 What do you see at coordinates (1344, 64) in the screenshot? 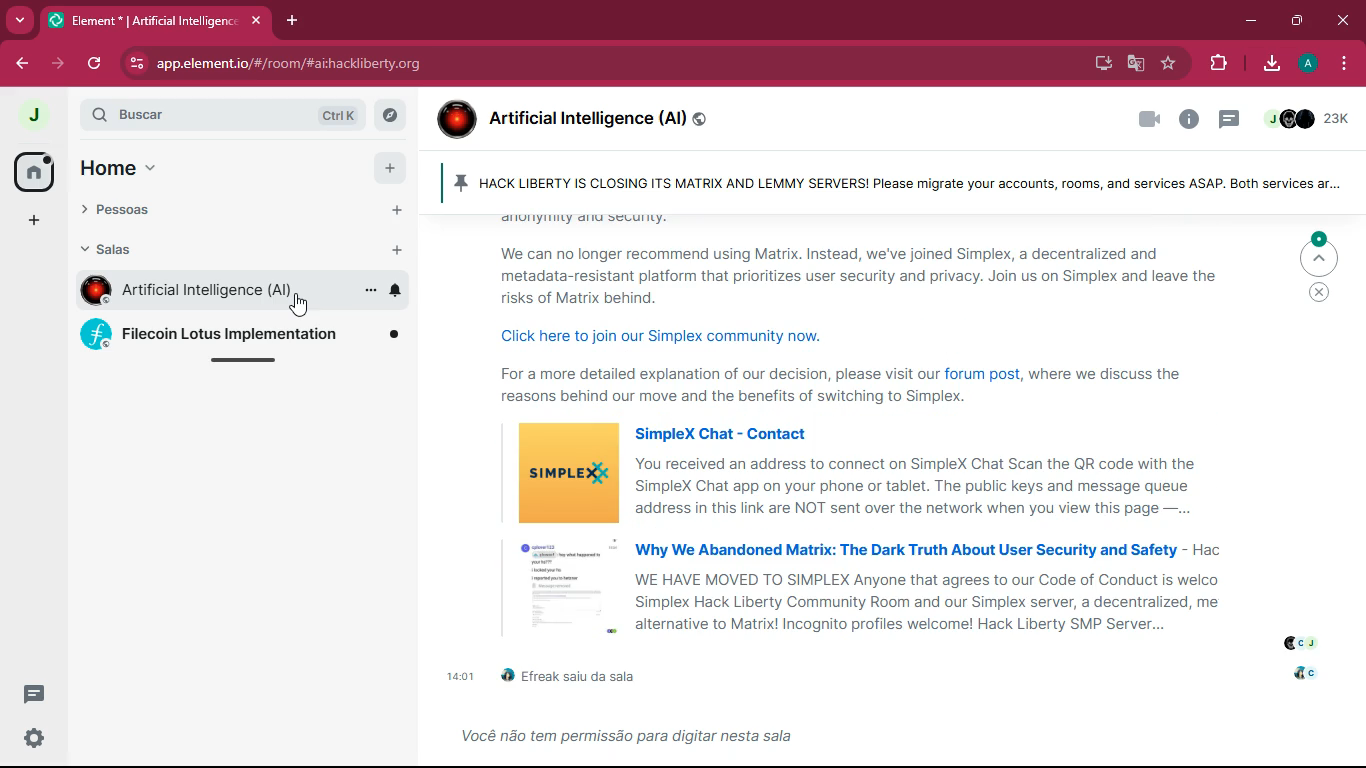
I see `menu` at bounding box center [1344, 64].